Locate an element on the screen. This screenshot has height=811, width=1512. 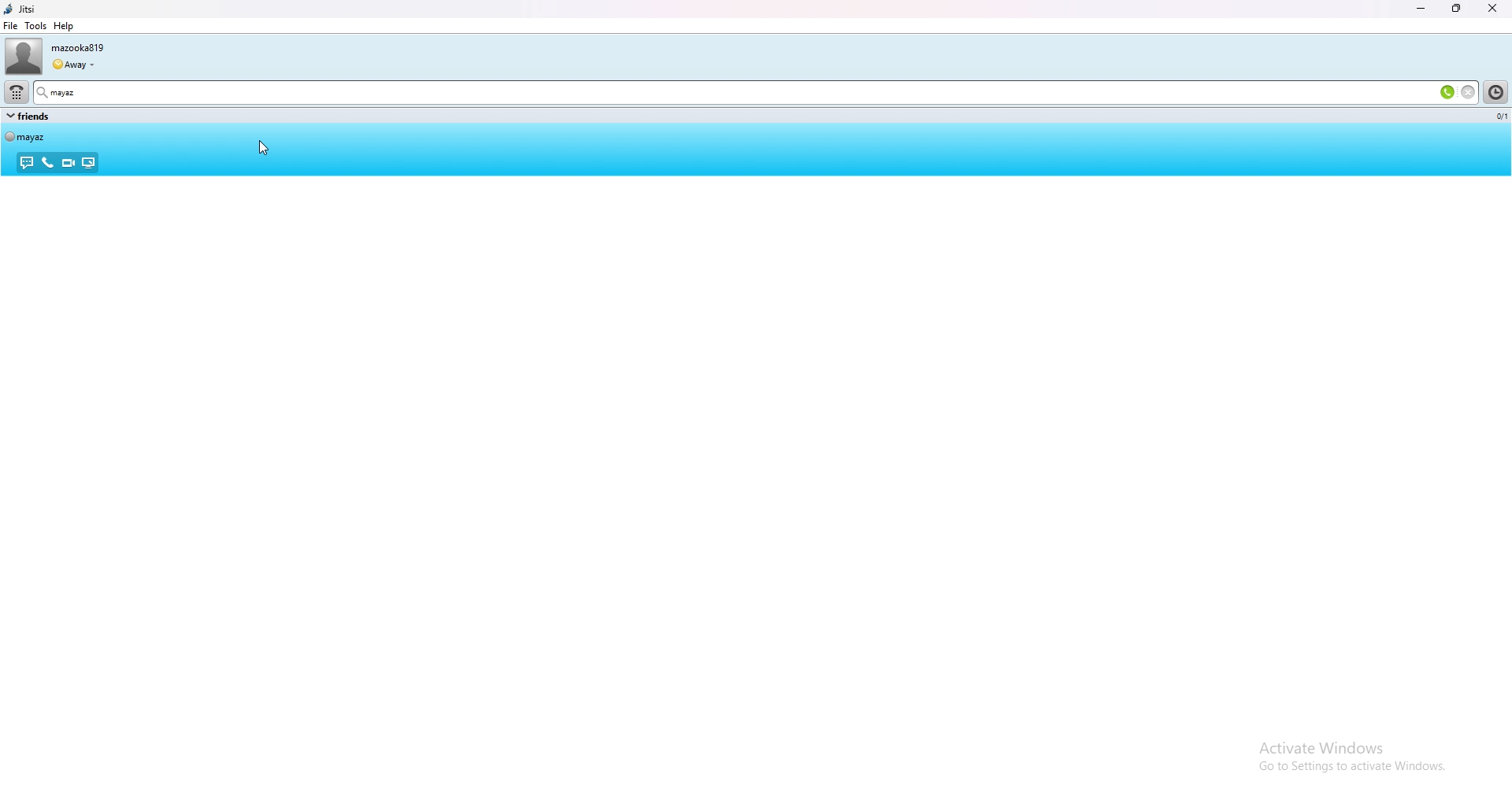
file is located at coordinates (10, 26).